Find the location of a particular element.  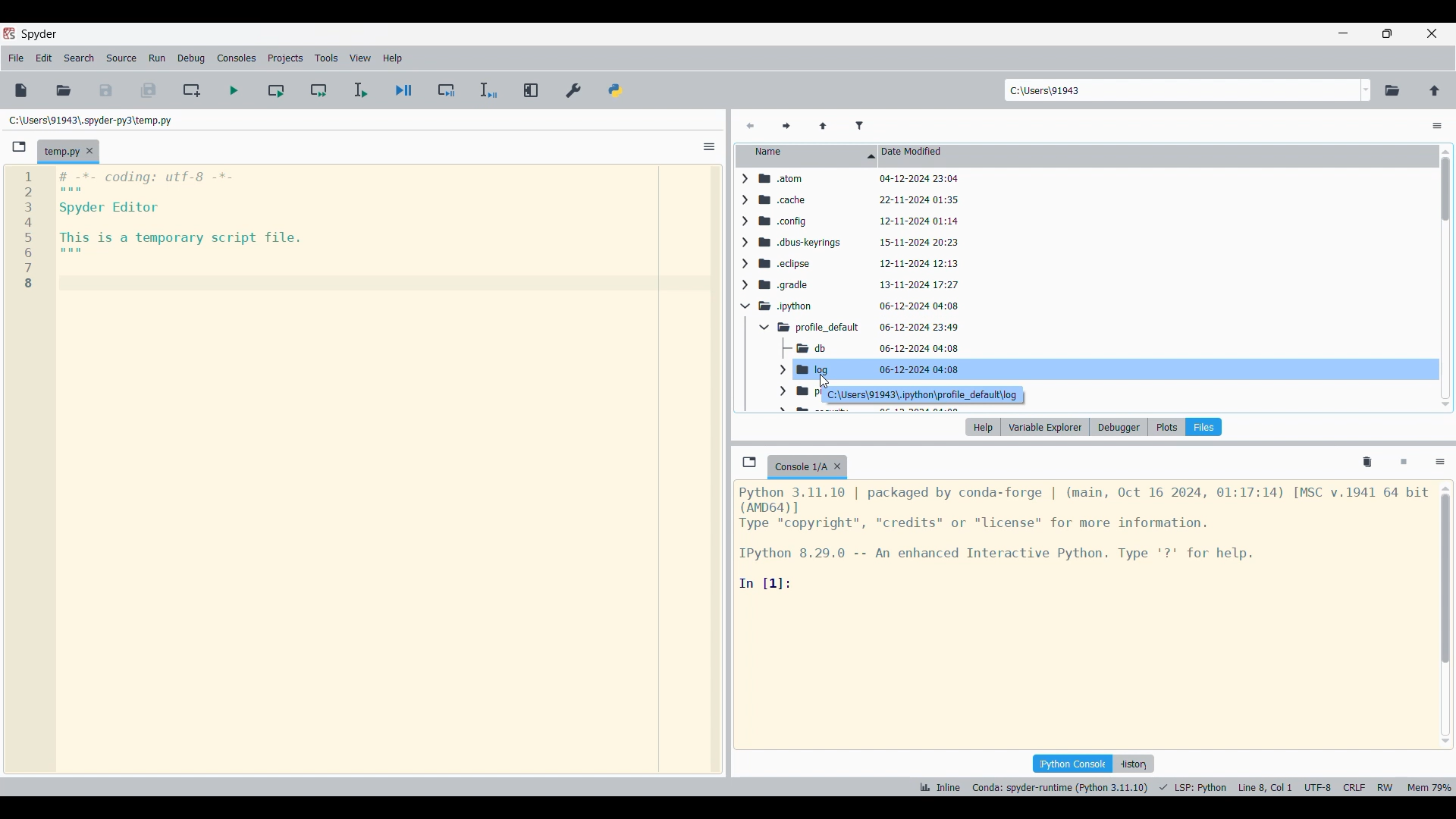

Save all files is located at coordinates (148, 90).